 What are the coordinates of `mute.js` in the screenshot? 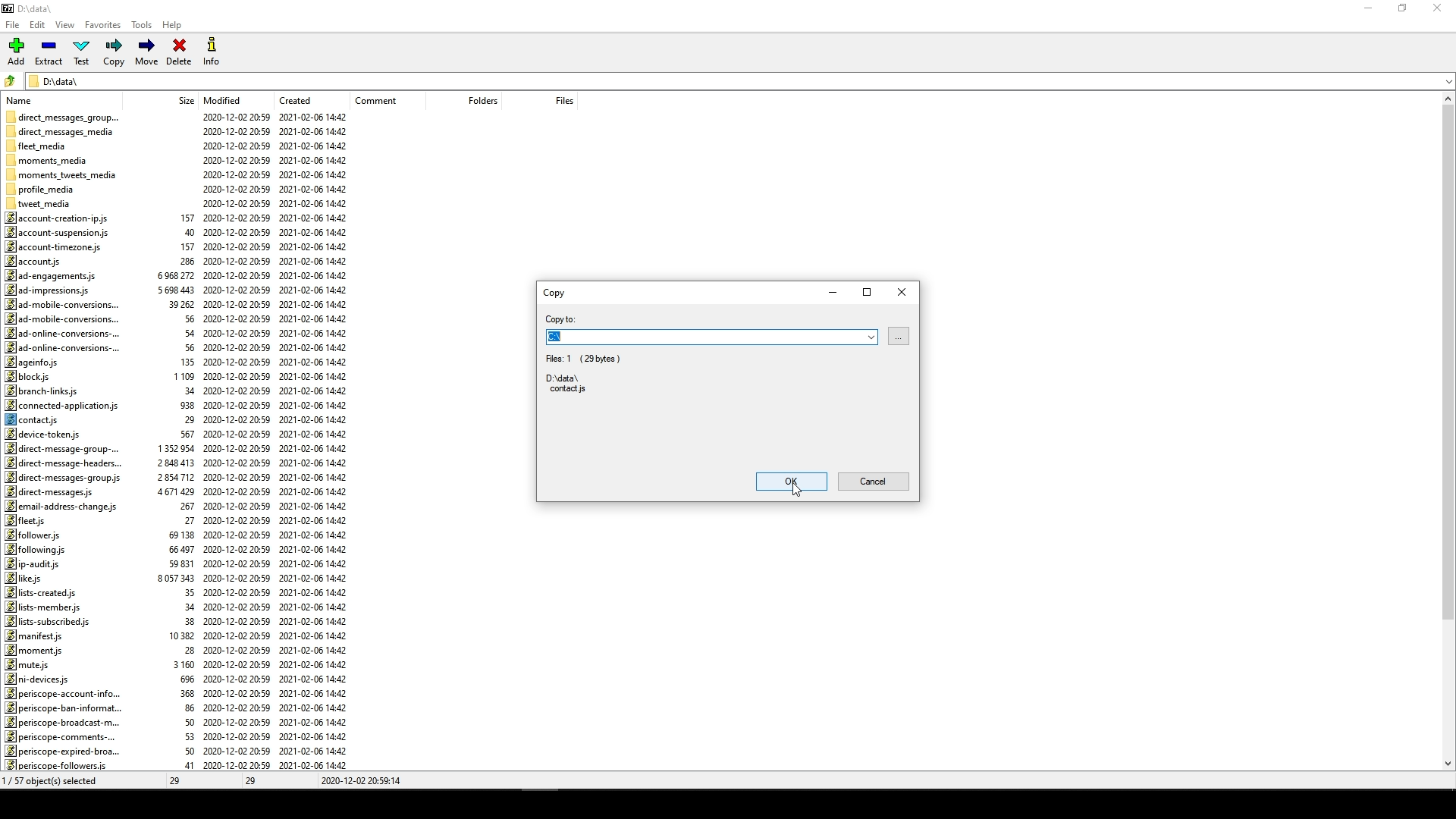 It's located at (28, 664).